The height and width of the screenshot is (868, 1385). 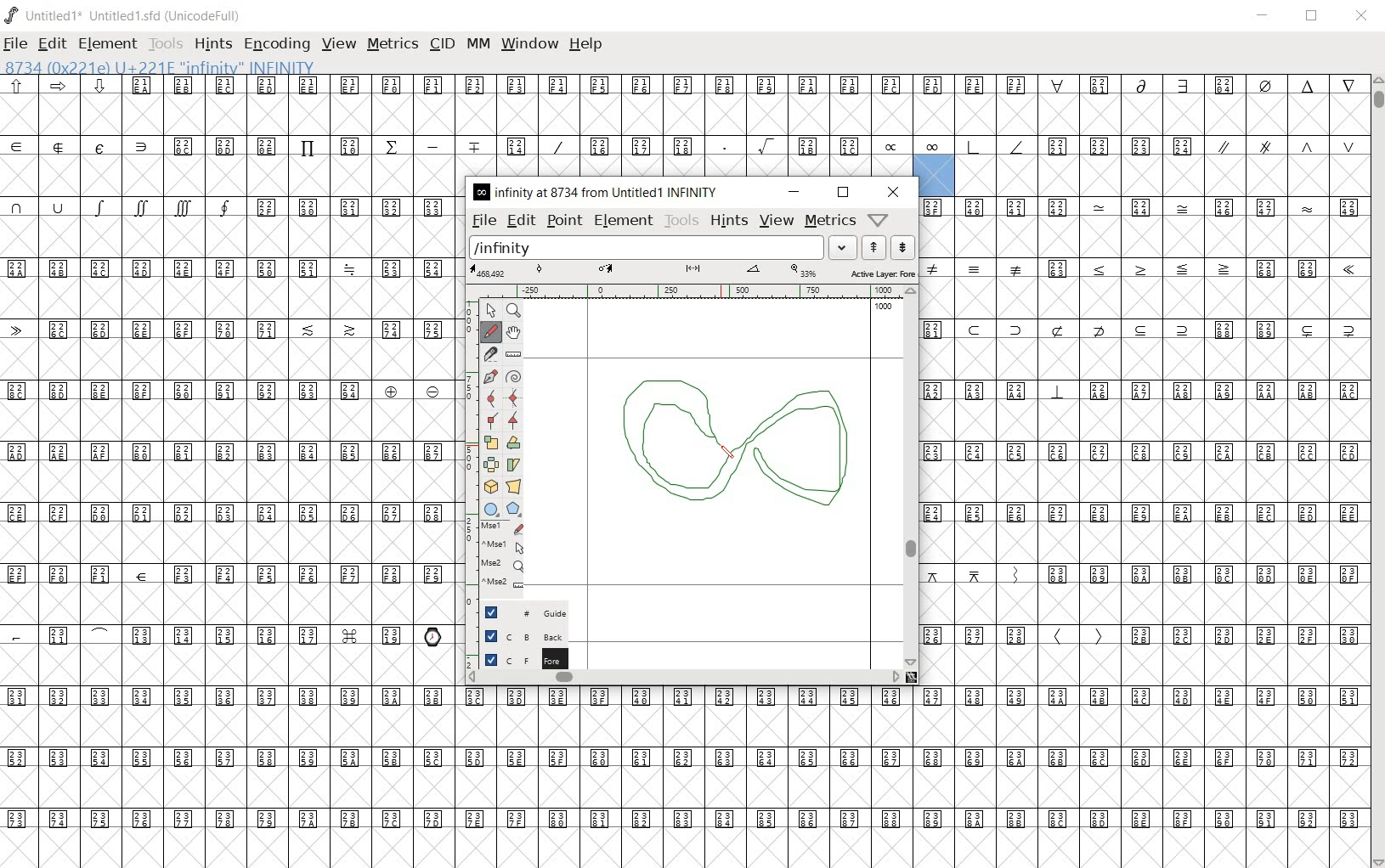 I want to click on scrollbar, so click(x=1377, y=470).